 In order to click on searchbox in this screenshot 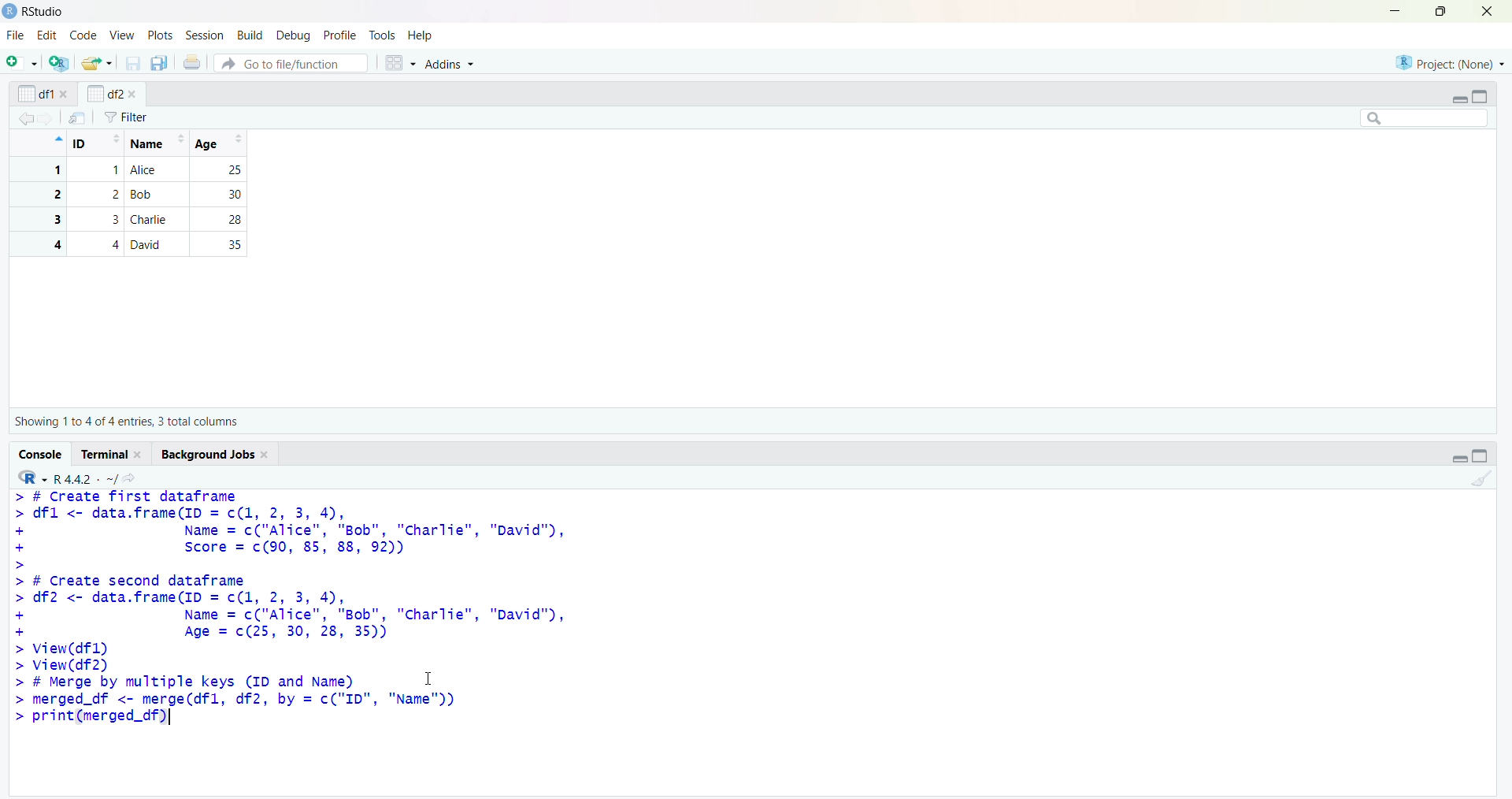, I will do `click(1425, 117)`.